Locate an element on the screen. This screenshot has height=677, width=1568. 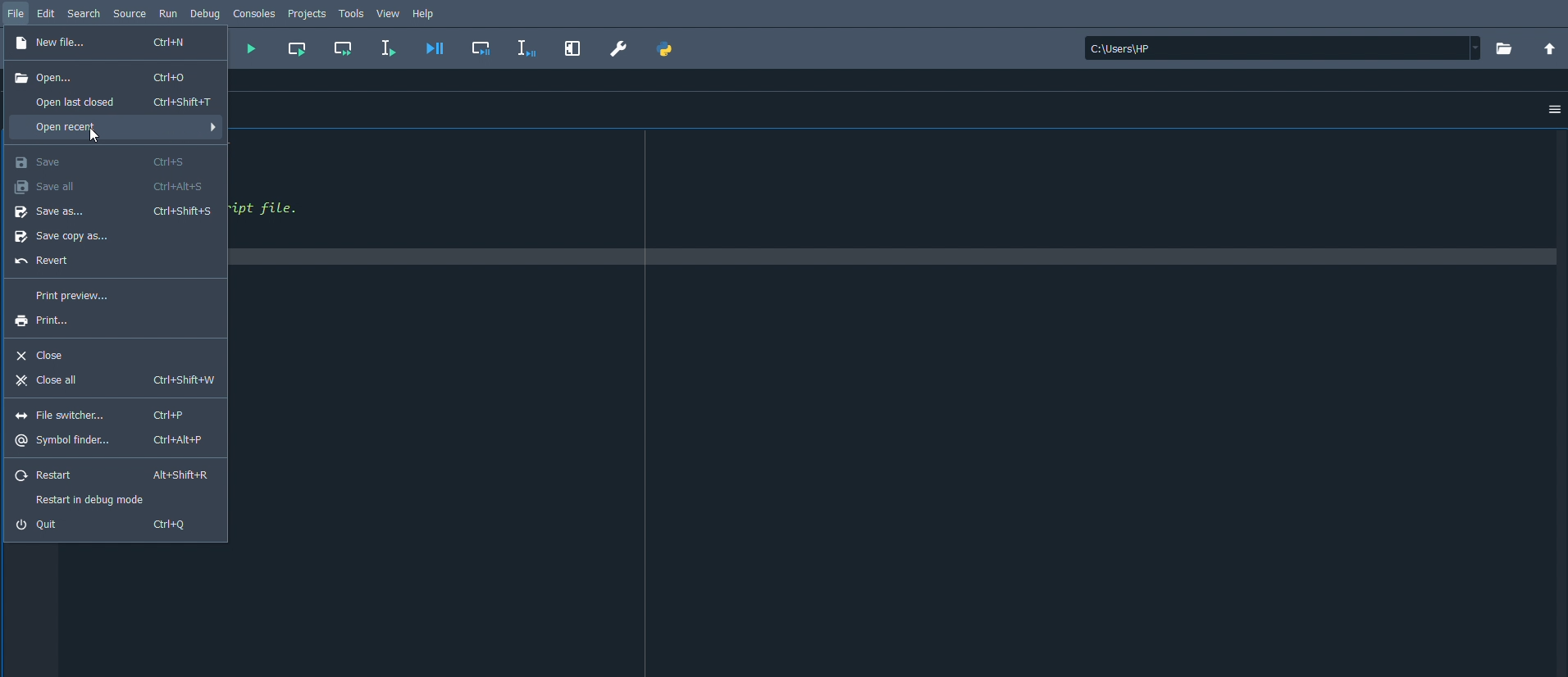
Browse a working directory is located at coordinates (1505, 48).